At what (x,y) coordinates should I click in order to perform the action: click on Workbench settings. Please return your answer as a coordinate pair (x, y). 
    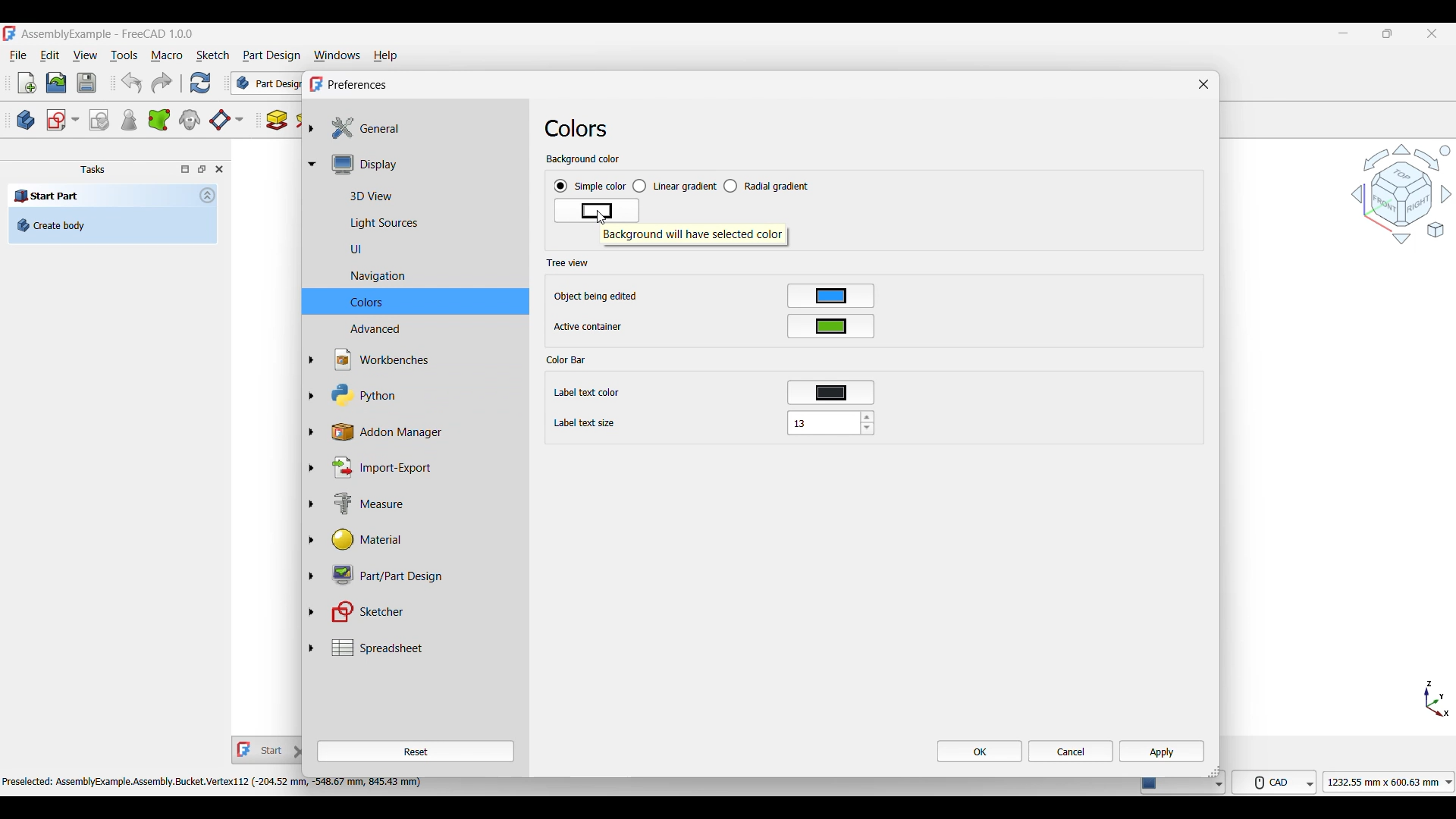
    Looking at the image, I should click on (423, 359).